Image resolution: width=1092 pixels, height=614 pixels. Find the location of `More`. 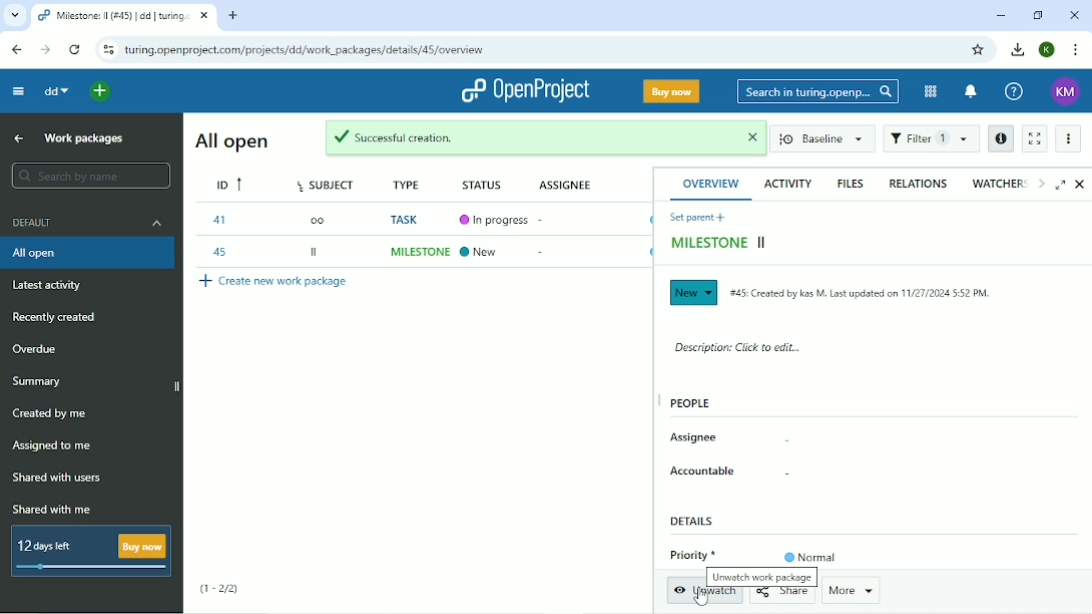

More is located at coordinates (852, 591).